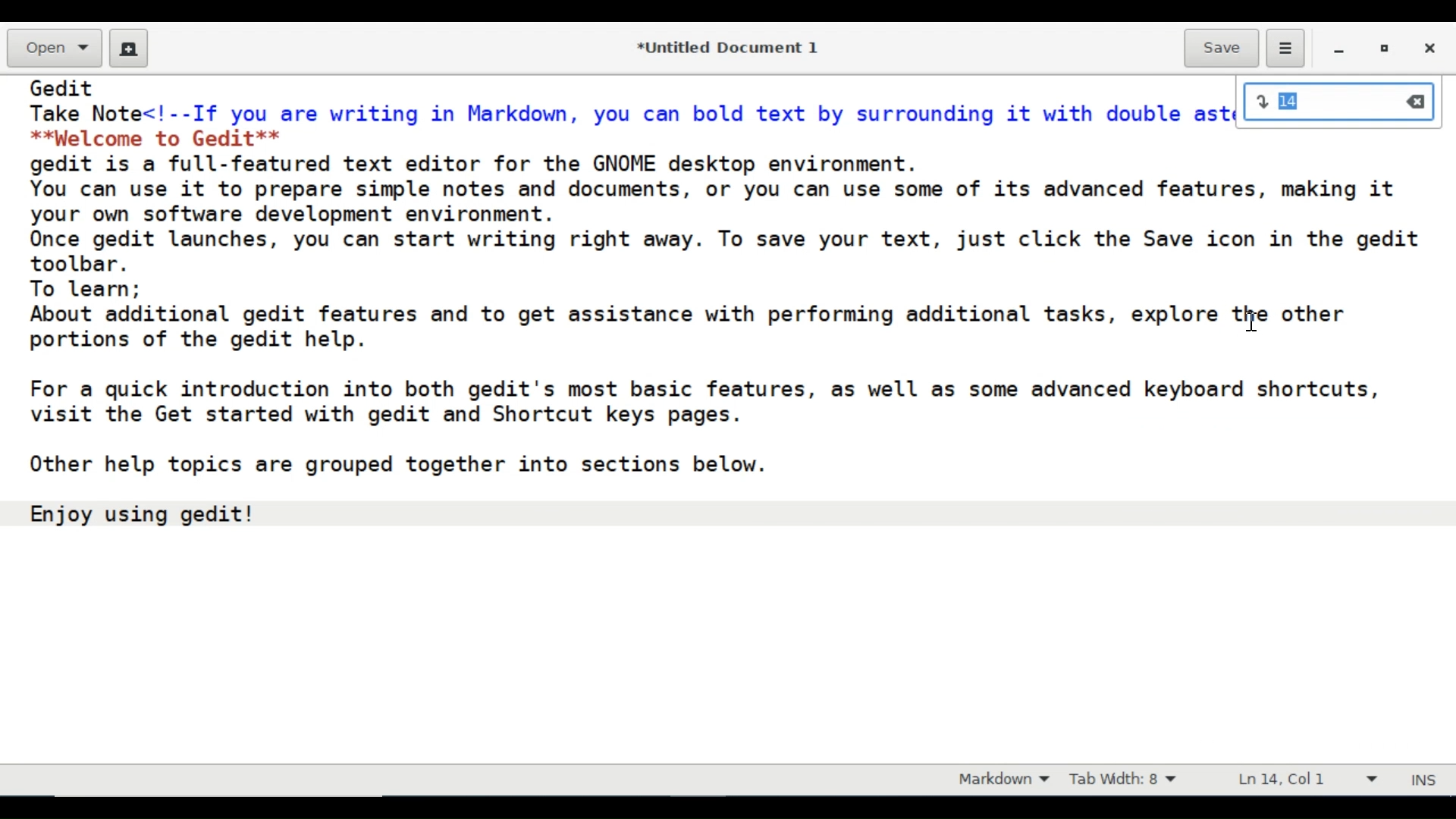  I want to click on minimize, so click(1341, 51).